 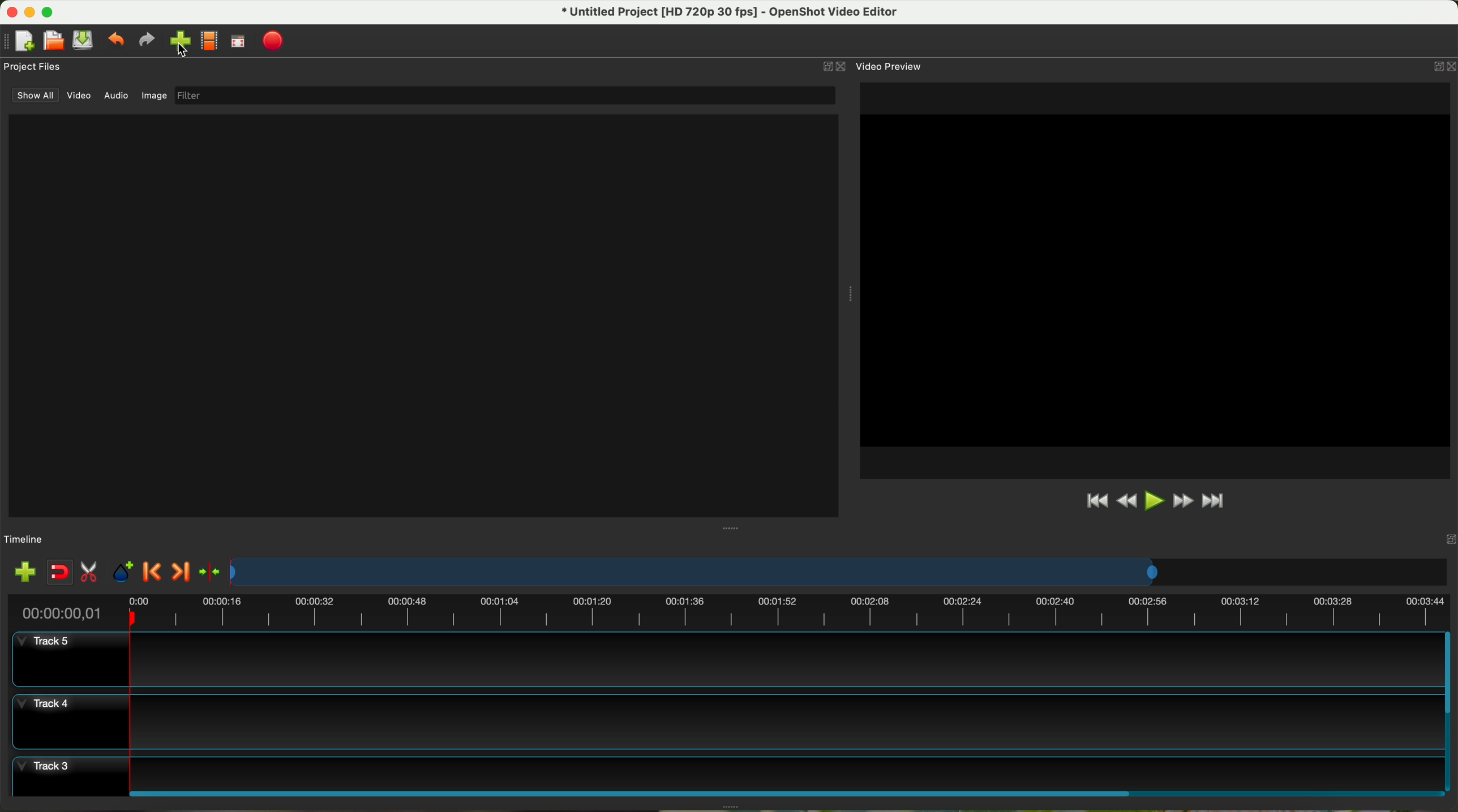 What do you see at coordinates (24, 540) in the screenshot?
I see `timeline` at bounding box center [24, 540].